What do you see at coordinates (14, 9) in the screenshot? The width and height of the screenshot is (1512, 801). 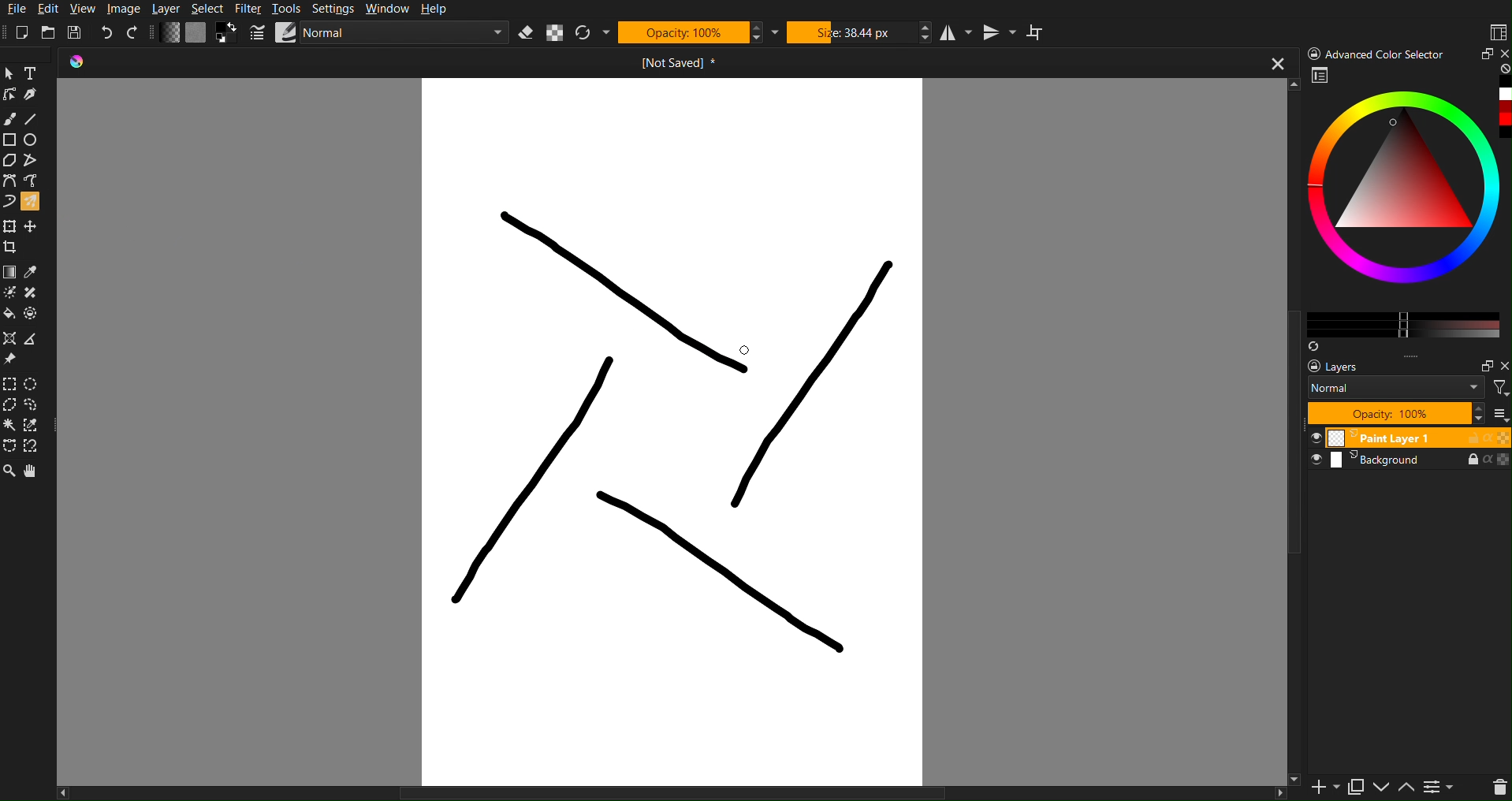 I see `FIle` at bounding box center [14, 9].